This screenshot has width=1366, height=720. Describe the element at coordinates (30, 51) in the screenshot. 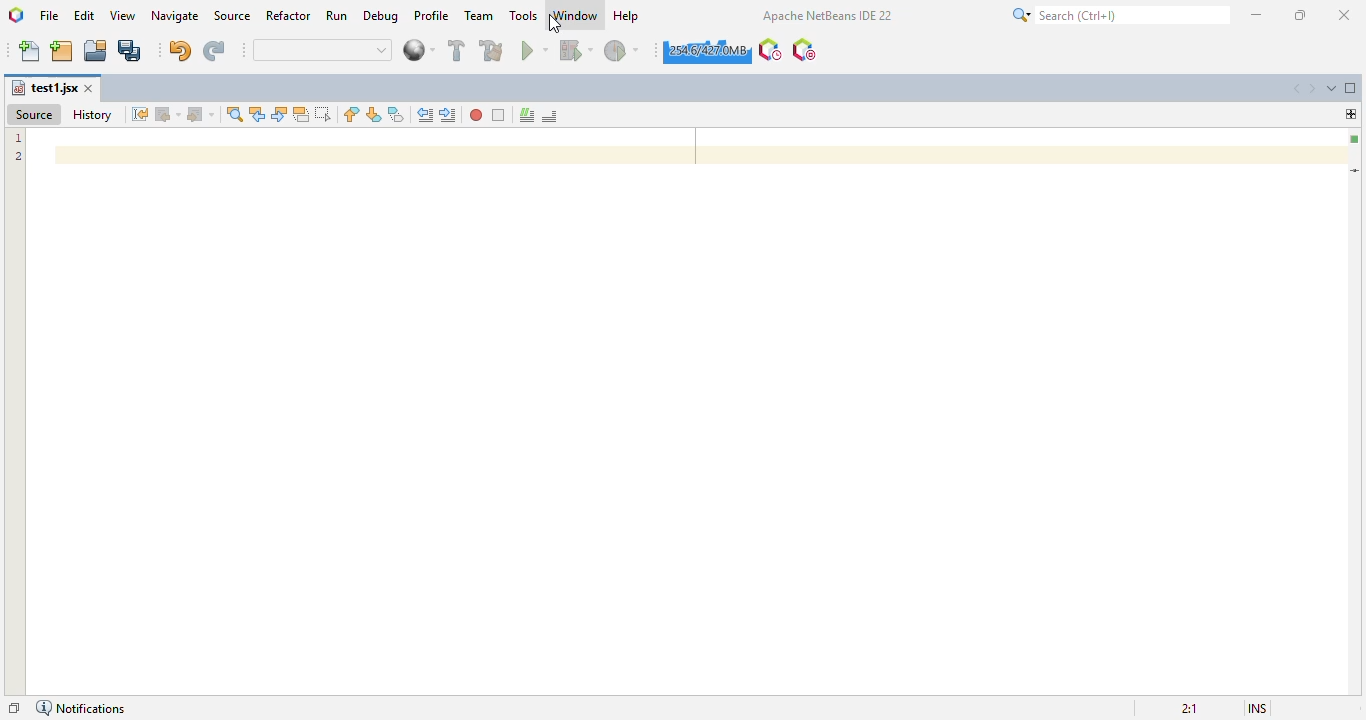

I see `new file` at that location.